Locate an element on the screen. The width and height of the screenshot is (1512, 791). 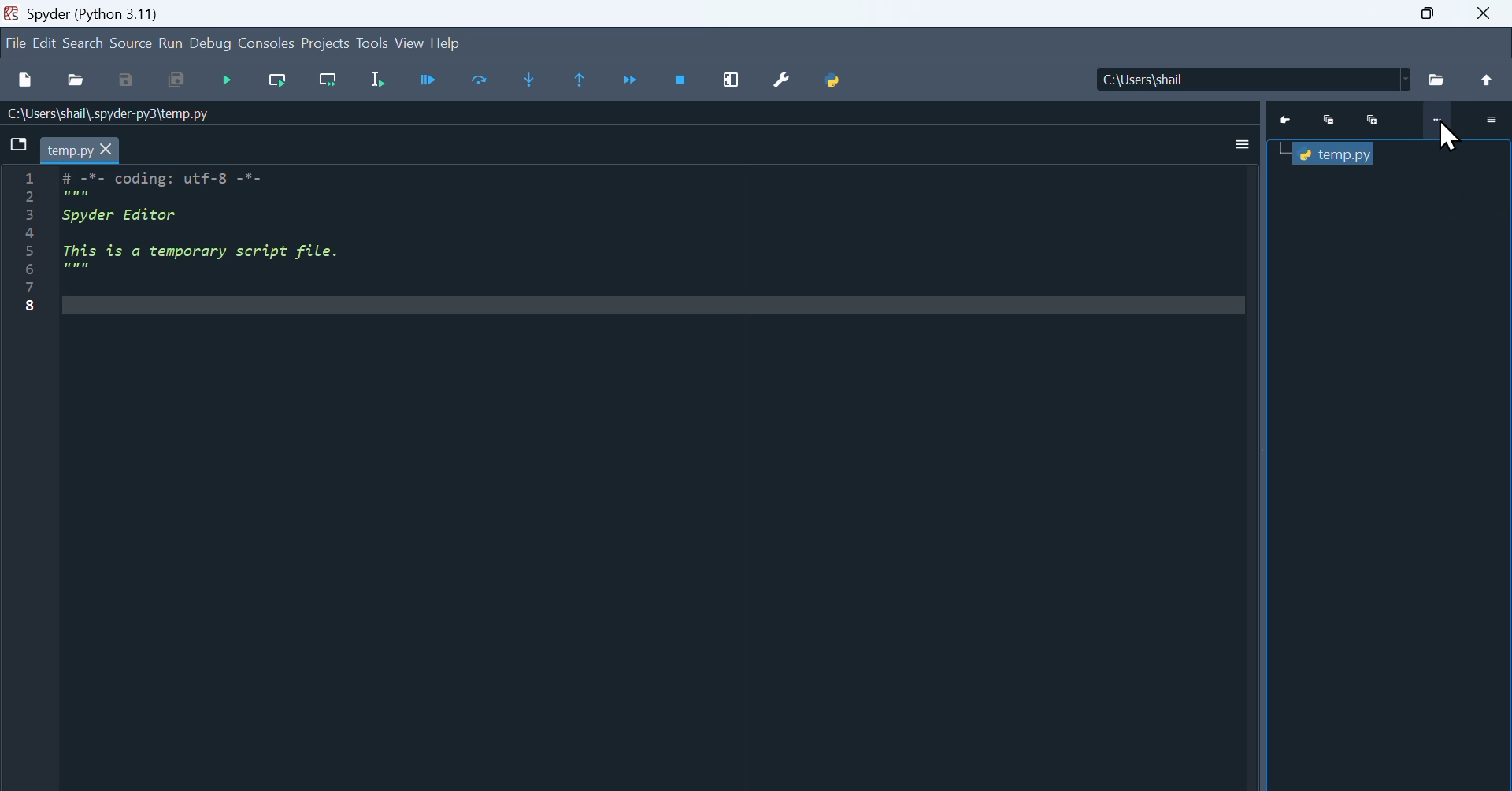
Save as is located at coordinates (126, 81).